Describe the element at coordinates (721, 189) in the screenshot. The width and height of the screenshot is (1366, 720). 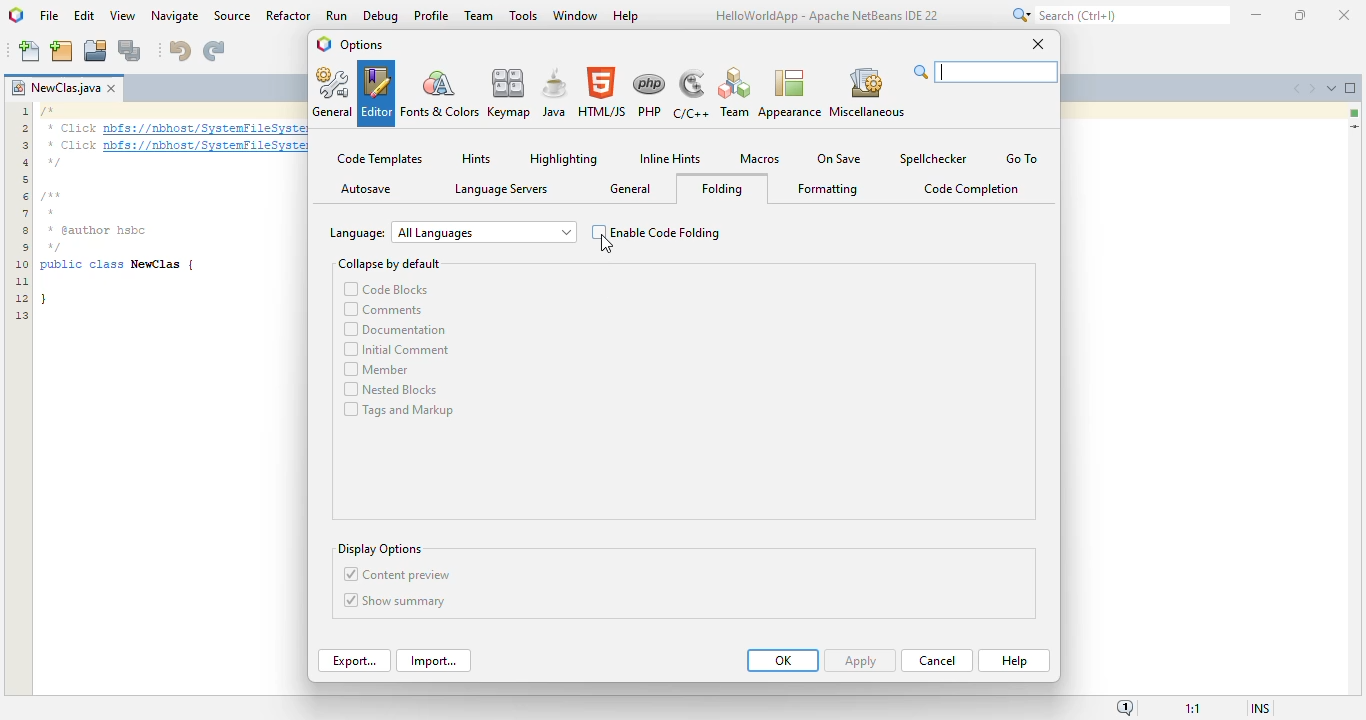
I see `folding` at that location.